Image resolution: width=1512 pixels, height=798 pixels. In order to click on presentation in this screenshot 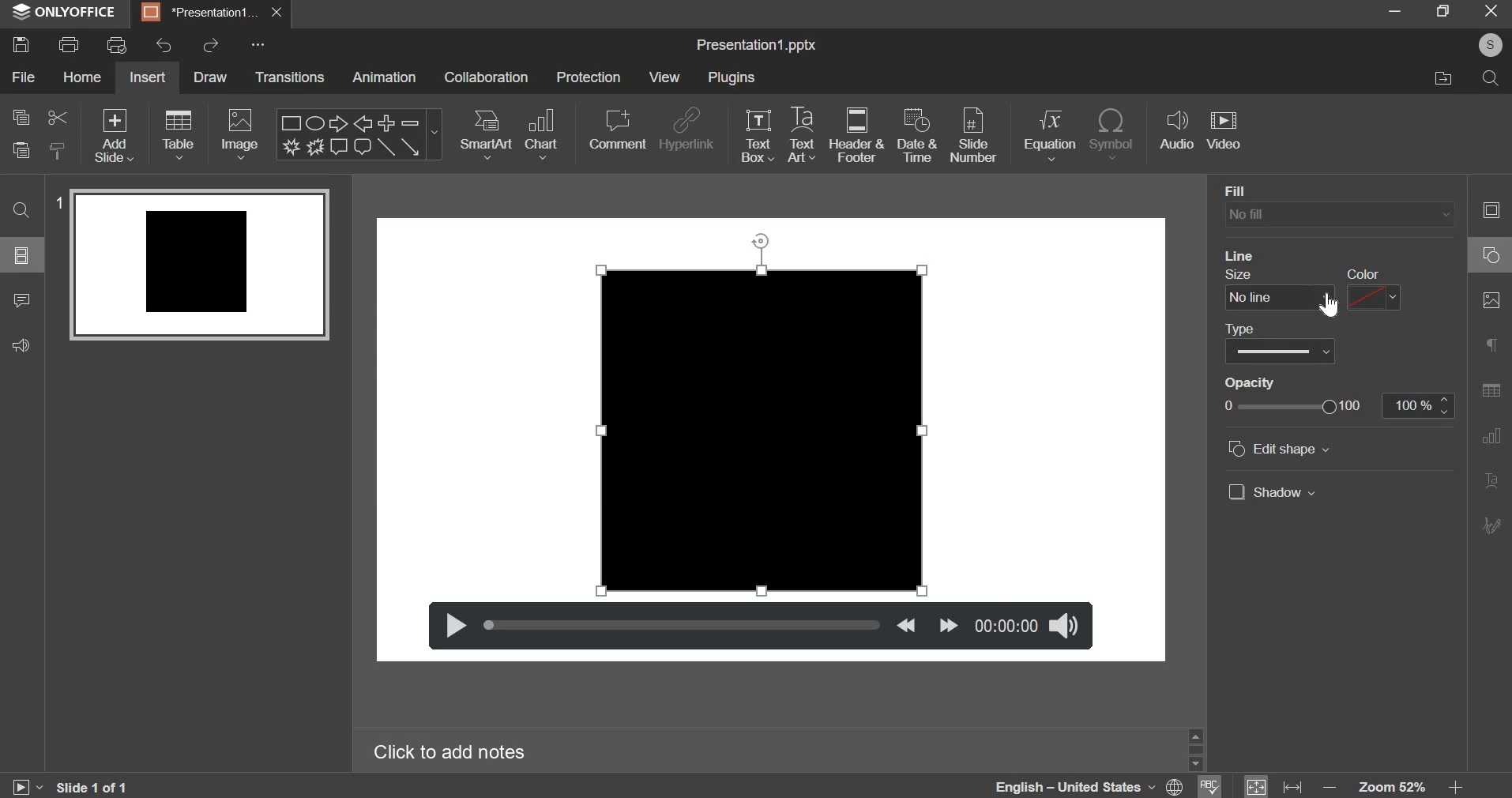, I will do `click(211, 13)`.